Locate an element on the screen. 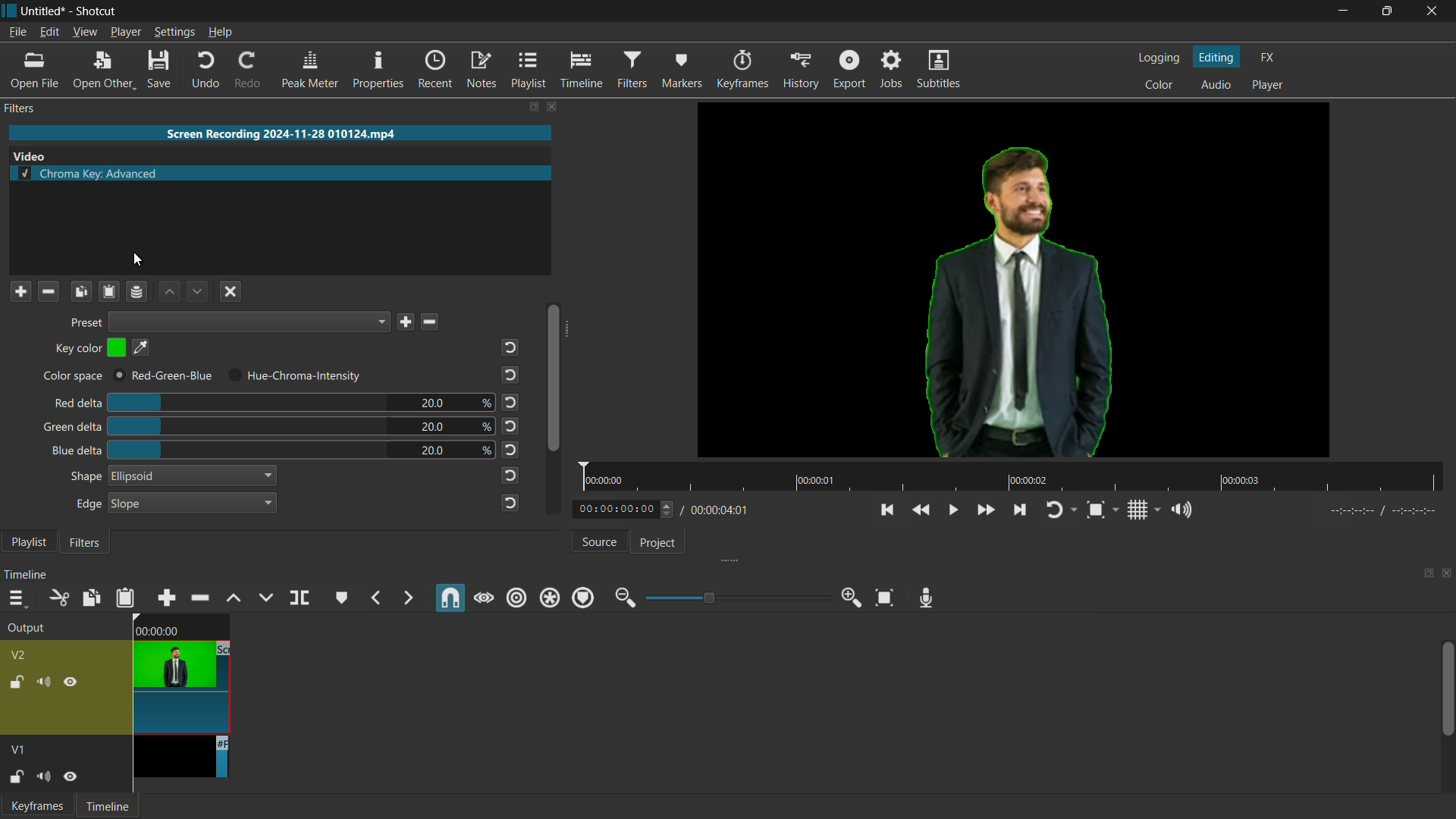  v1 is located at coordinates (20, 750).